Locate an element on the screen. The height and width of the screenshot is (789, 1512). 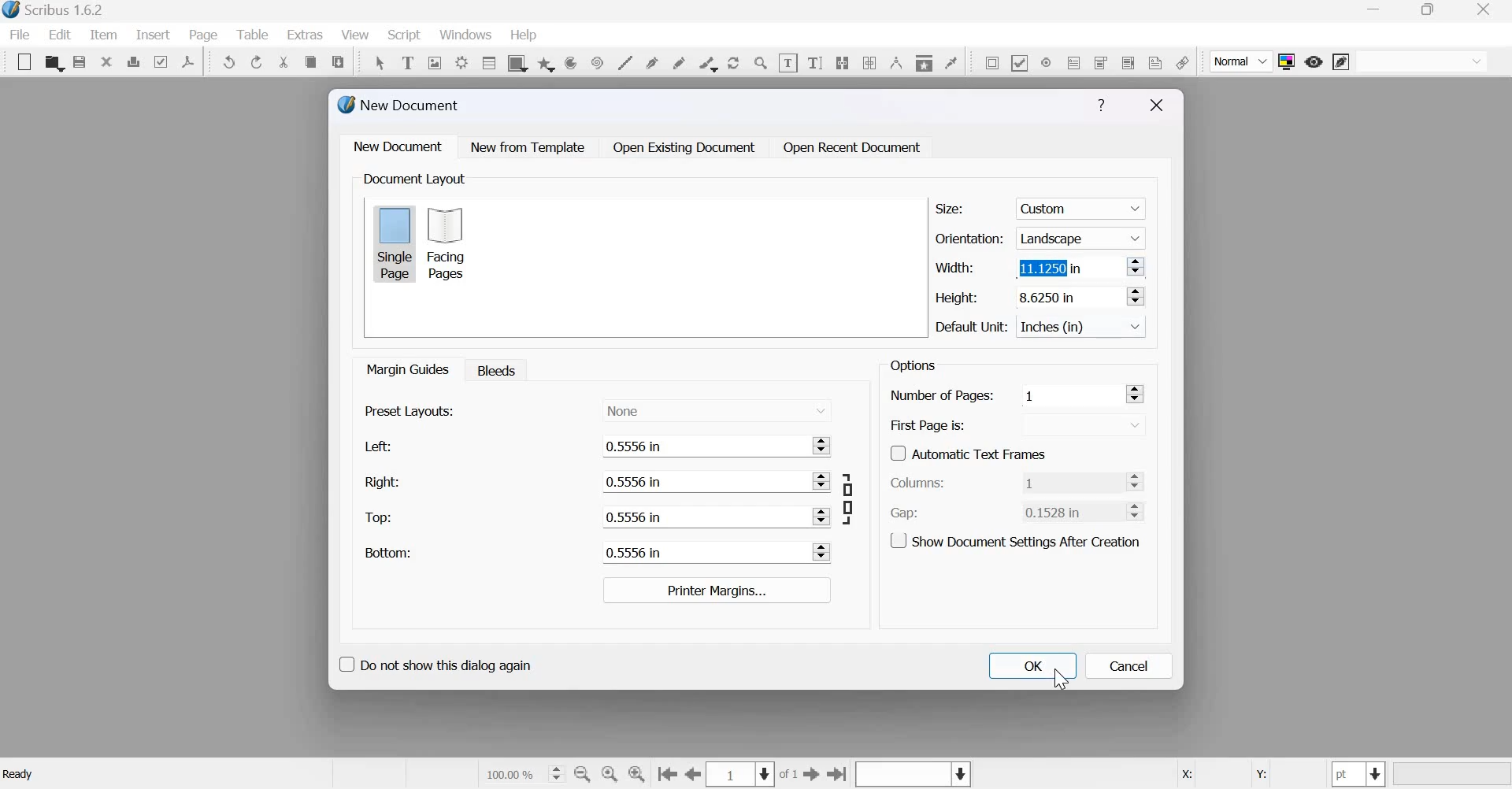
render frame is located at coordinates (461, 61).